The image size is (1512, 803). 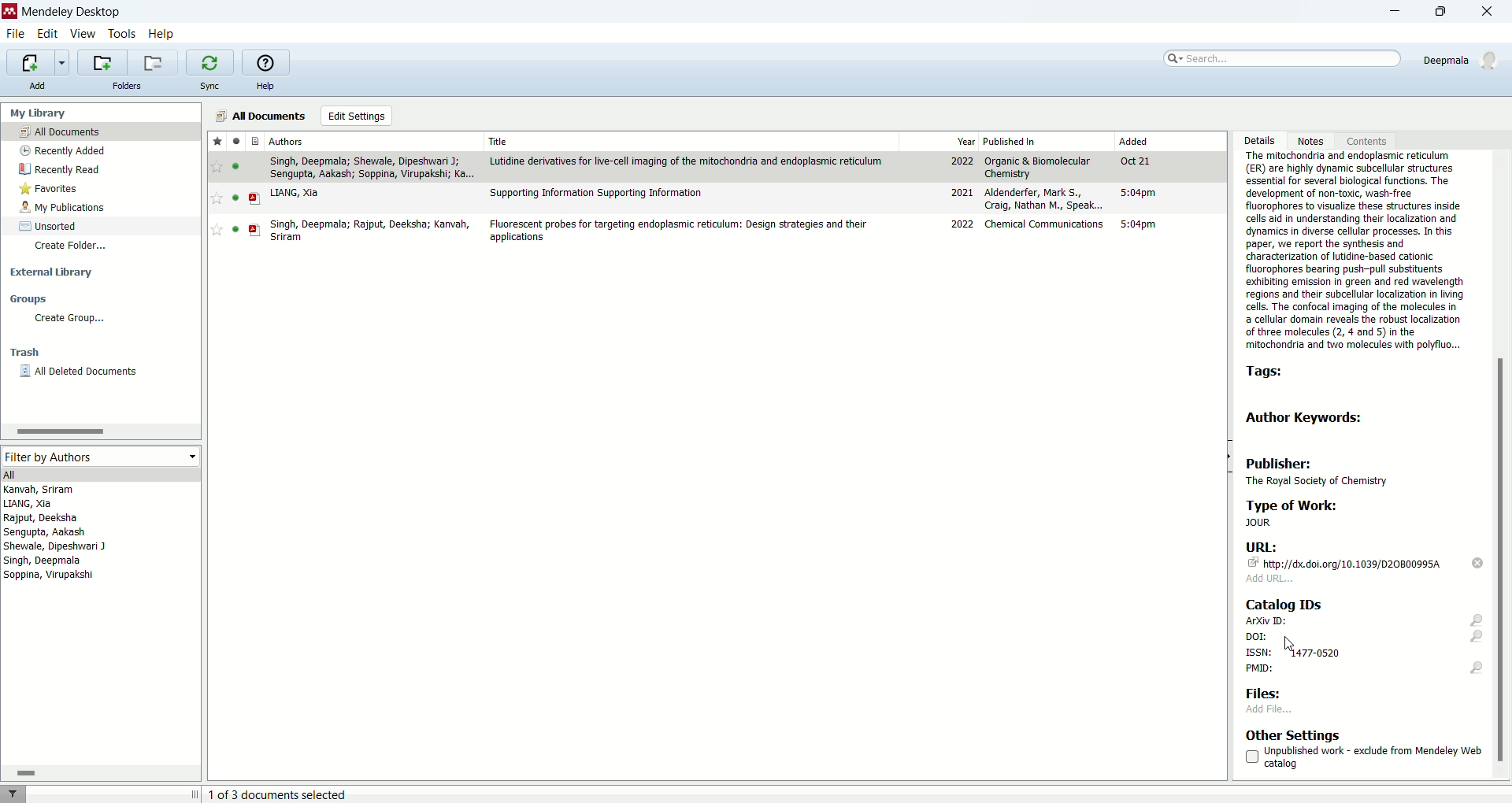 What do you see at coordinates (966, 142) in the screenshot?
I see `year` at bounding box center [966, 142].